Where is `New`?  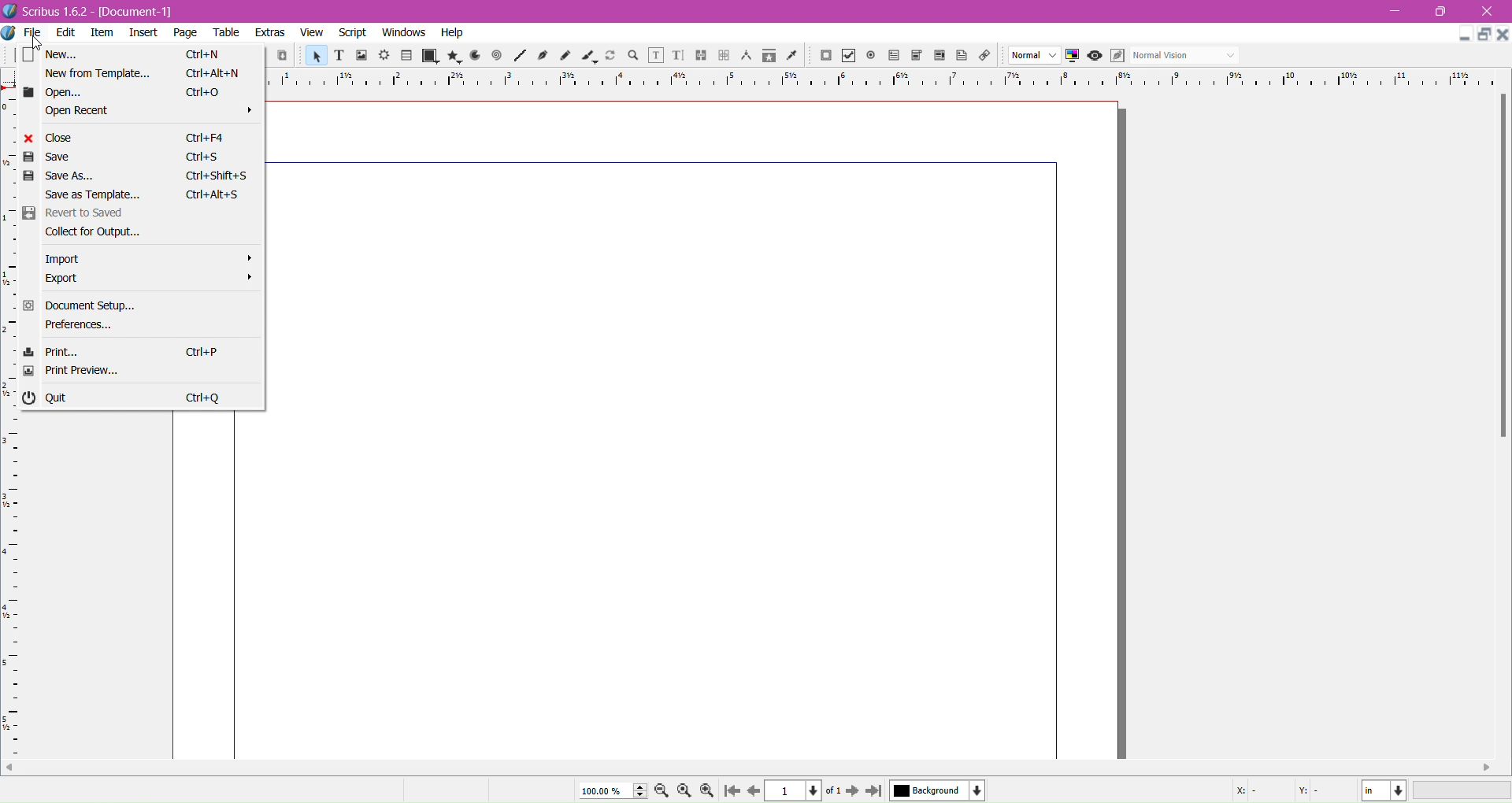
New is located at coordinates (139, 54).